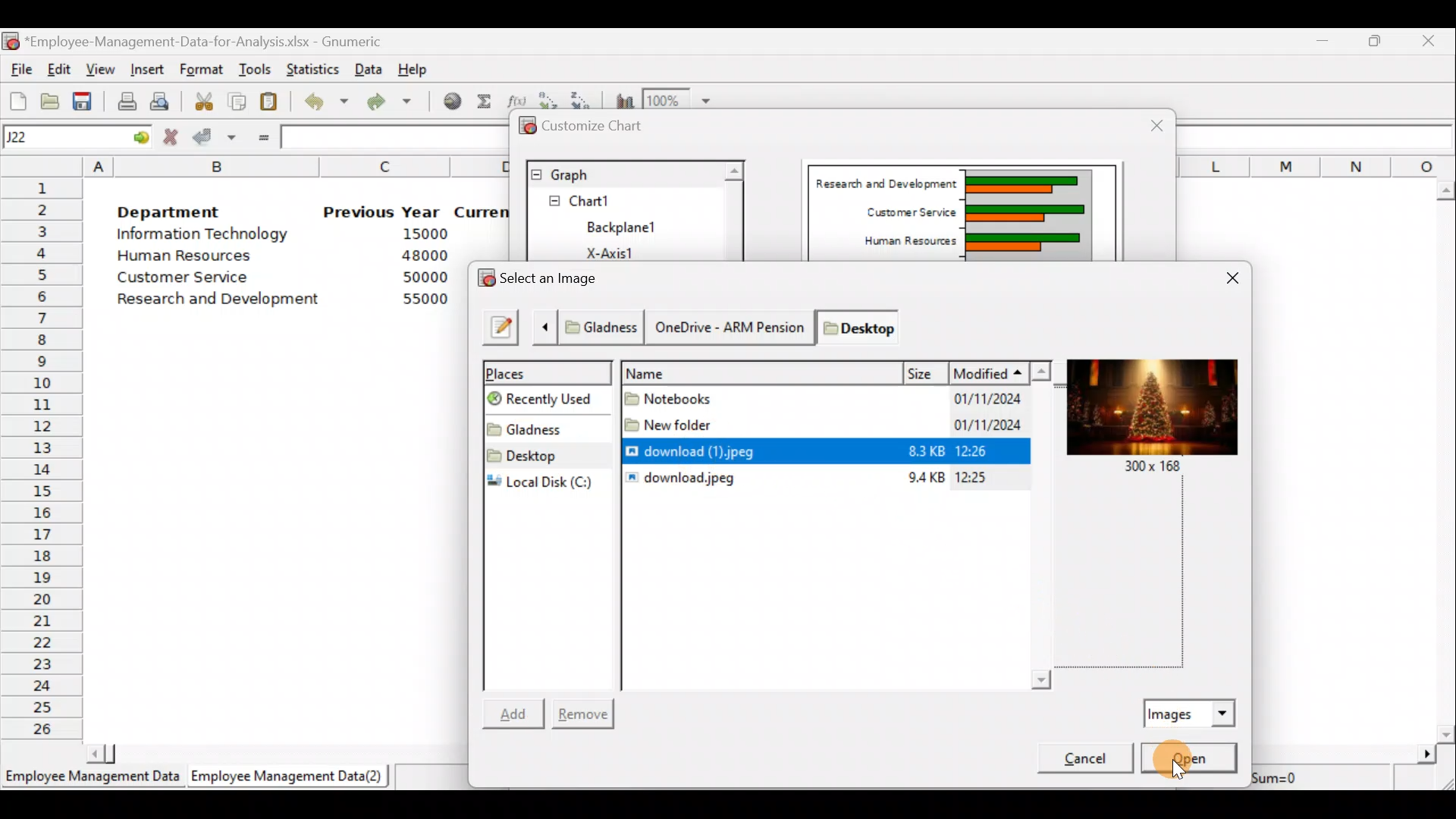 The width and height of the screenshot is (1456, 819). What do you see at coordinates (899, 242) in the screenshot?
I see `Human Resources` at bounding box center [899, 242].